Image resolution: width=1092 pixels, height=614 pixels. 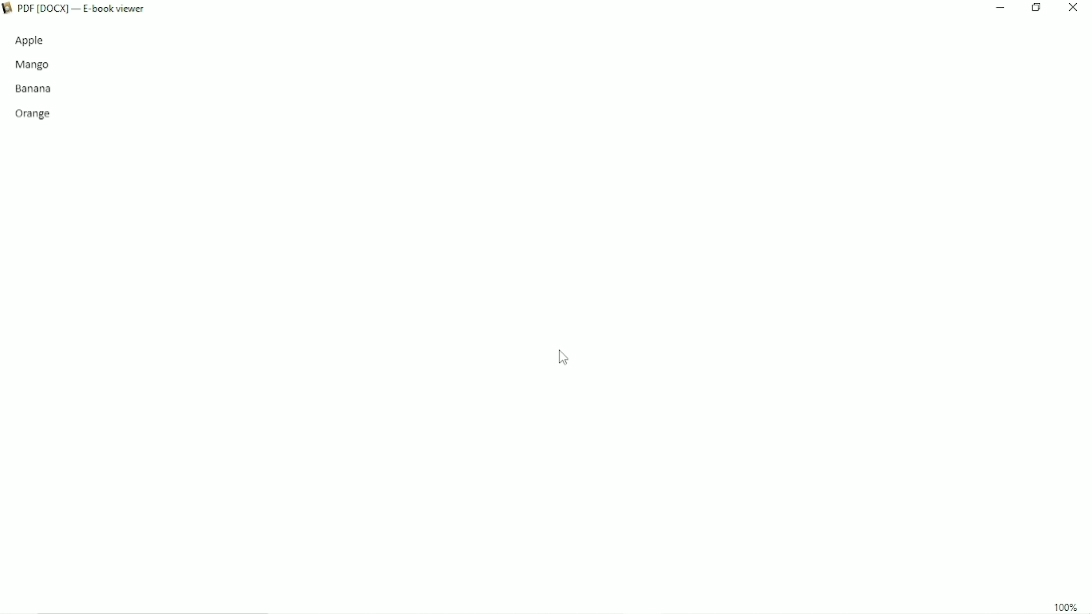 What do you see at coordinates (1067, 605) in the screenshot?
I see `100%` at bounding box center [1067, 605].